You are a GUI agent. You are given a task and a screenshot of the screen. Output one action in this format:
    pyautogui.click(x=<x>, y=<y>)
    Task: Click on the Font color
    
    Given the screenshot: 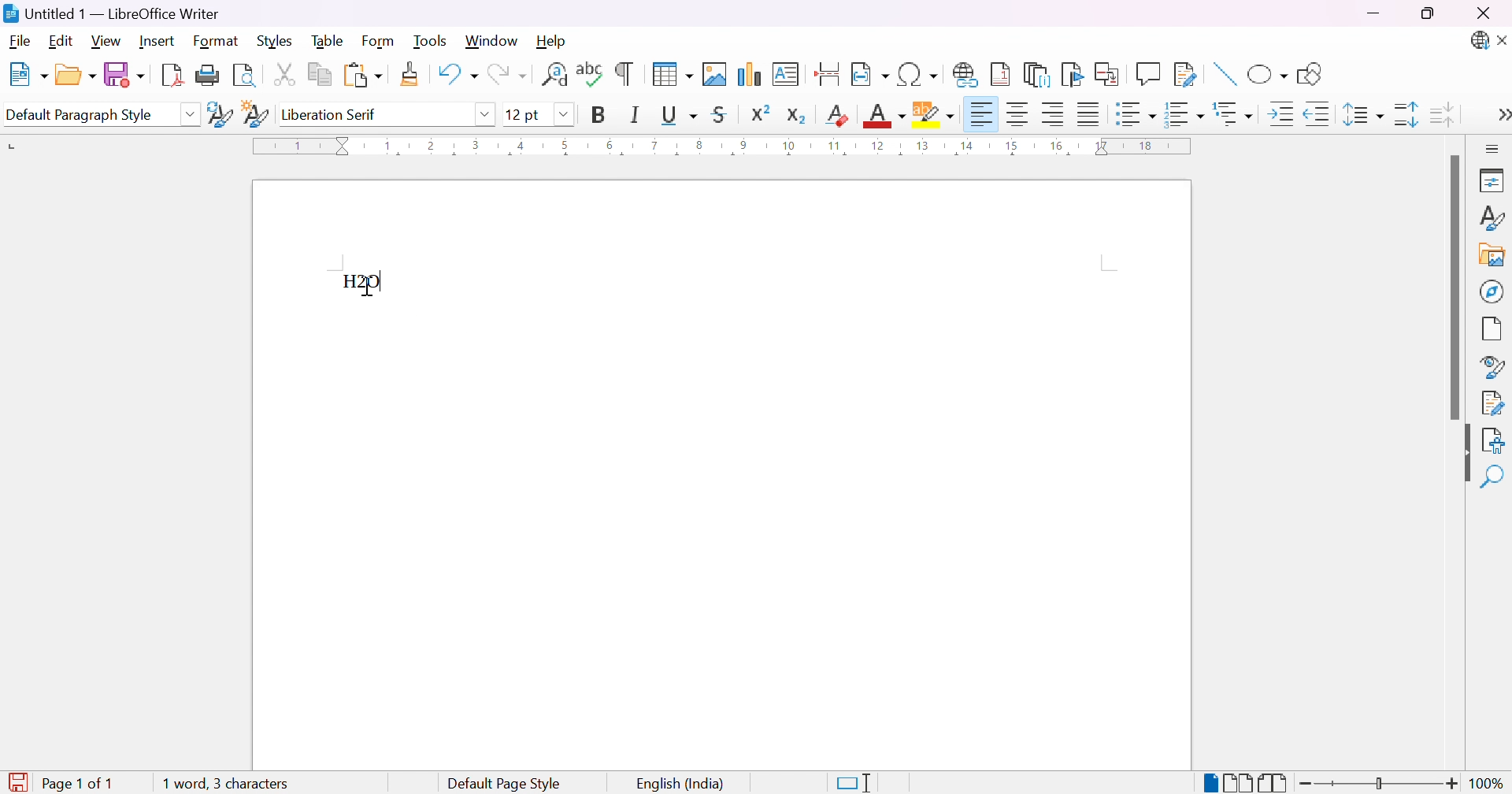 What is the action you would take?
    pyautogui.click(x=887, y=116)
    